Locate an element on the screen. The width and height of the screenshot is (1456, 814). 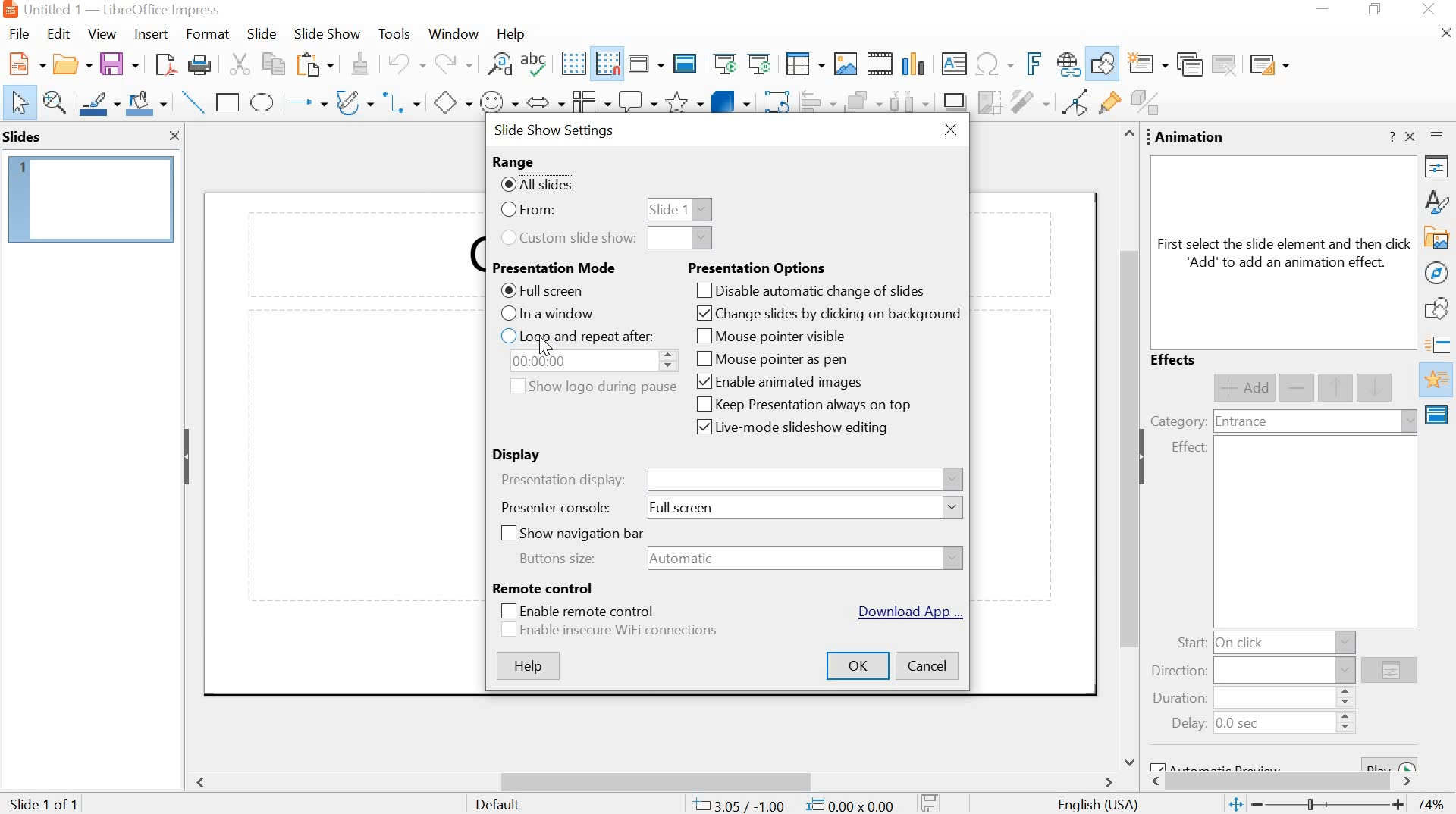
insert table is located at coordinates (805, 65).